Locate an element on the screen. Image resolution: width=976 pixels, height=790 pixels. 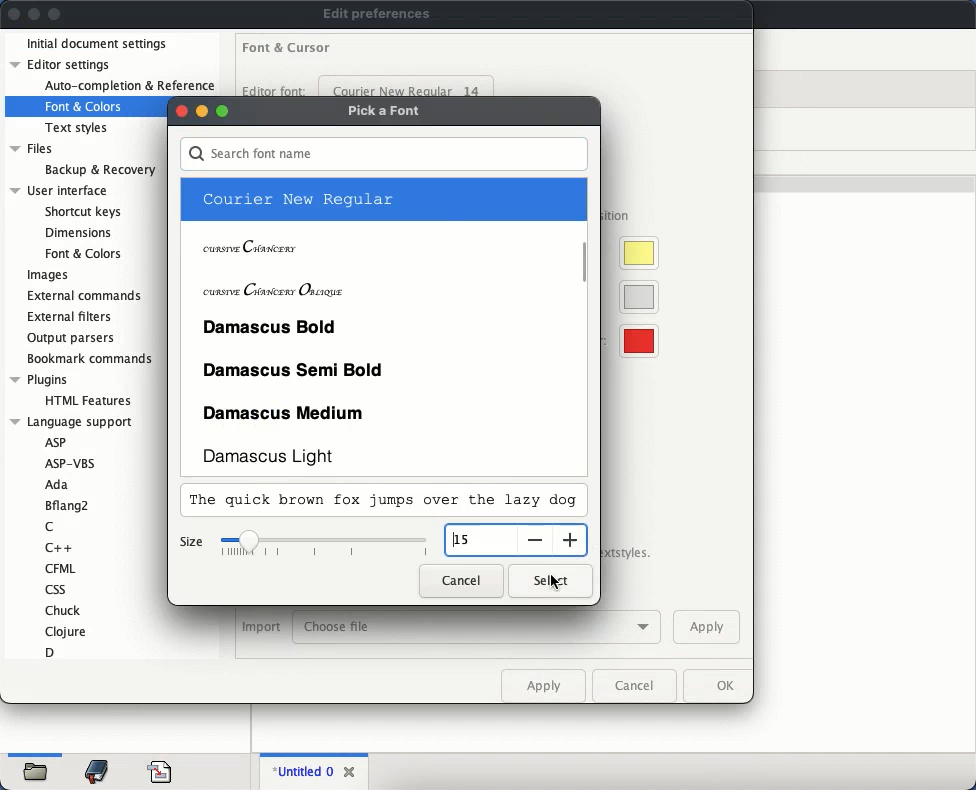
external commands is located at coordinates (87, 294).